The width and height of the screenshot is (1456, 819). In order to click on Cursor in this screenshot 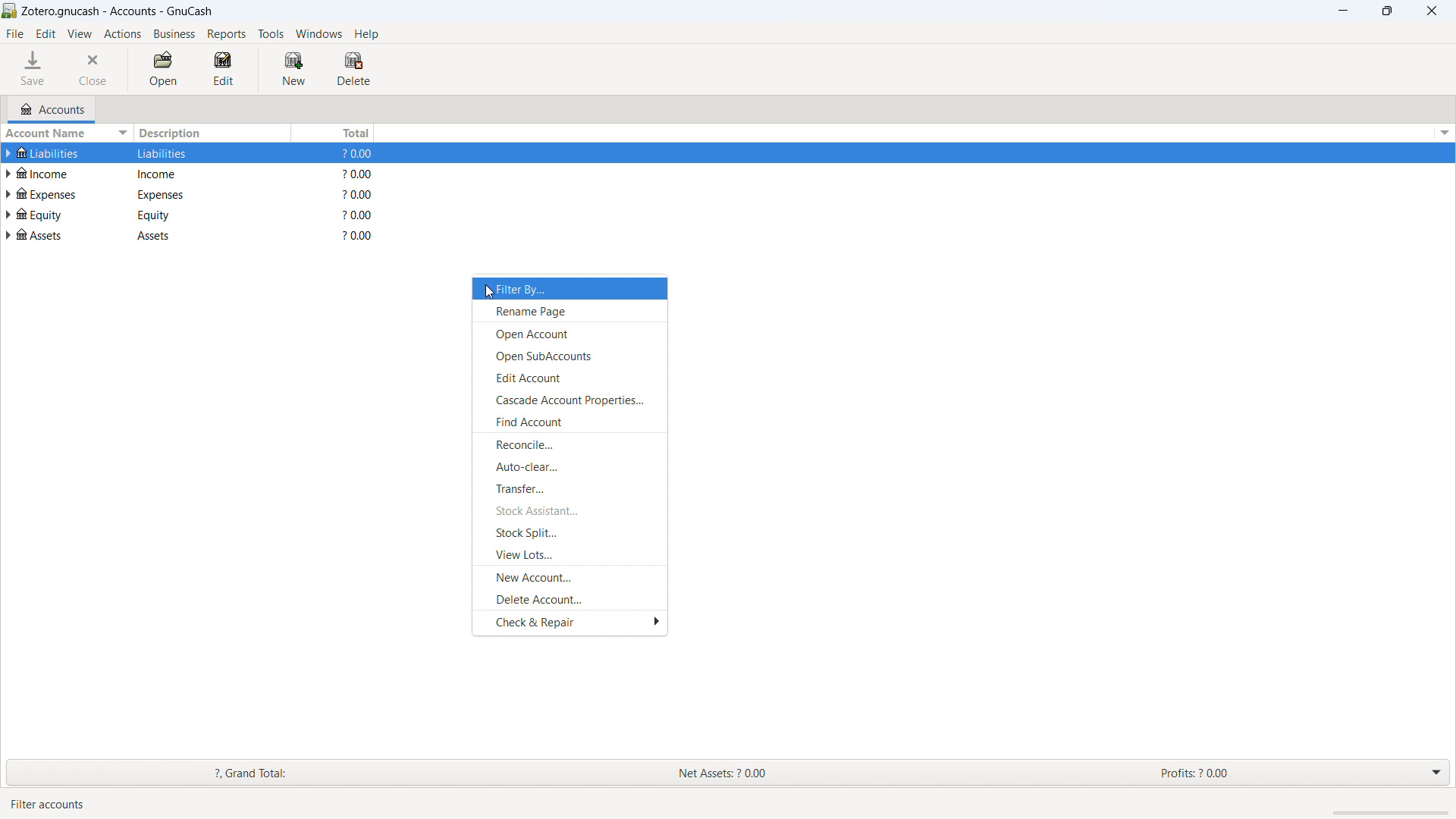, I will do `click(488, 293)`.